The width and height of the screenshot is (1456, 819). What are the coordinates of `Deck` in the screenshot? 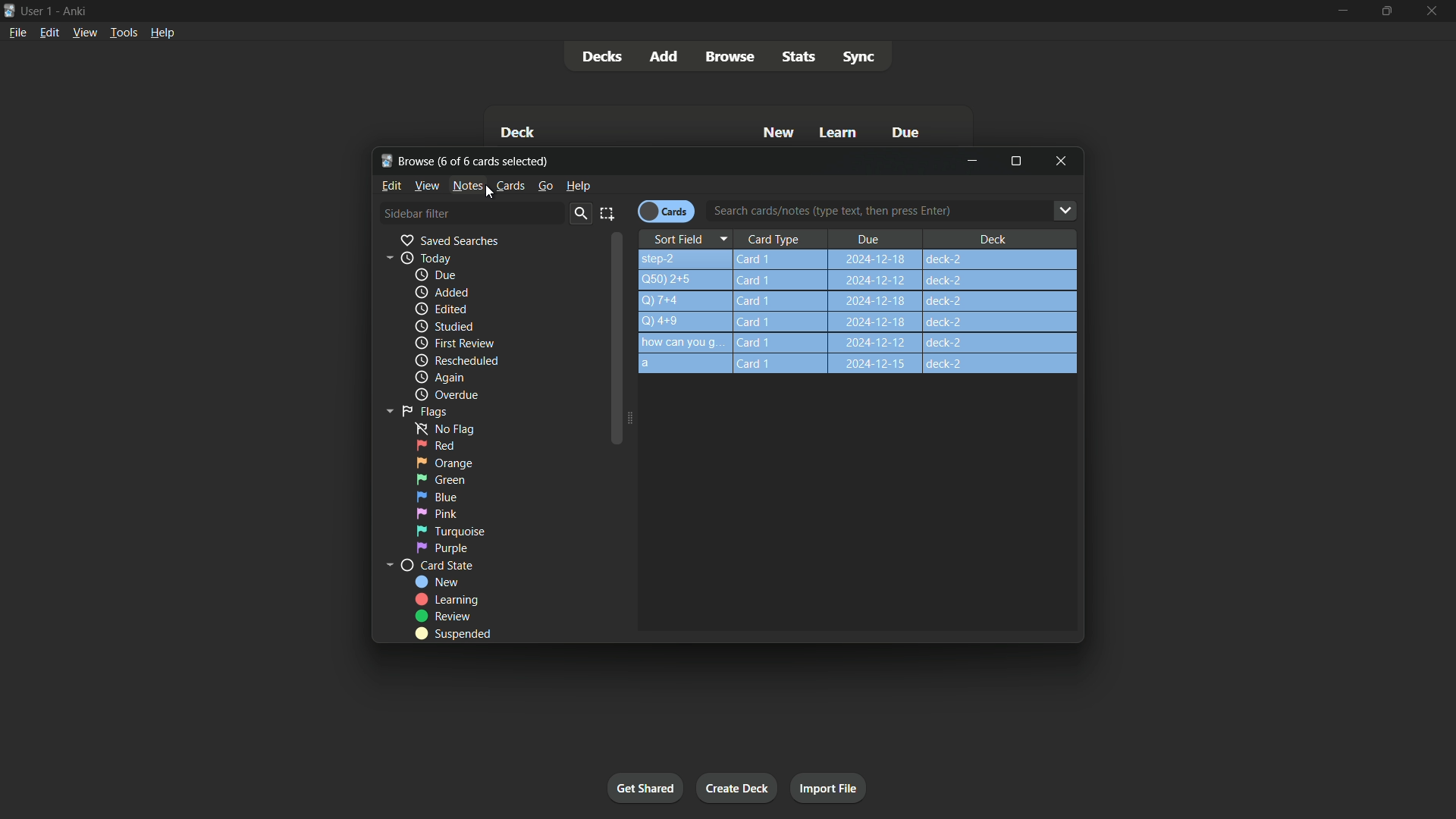 It's located at (519, 132).